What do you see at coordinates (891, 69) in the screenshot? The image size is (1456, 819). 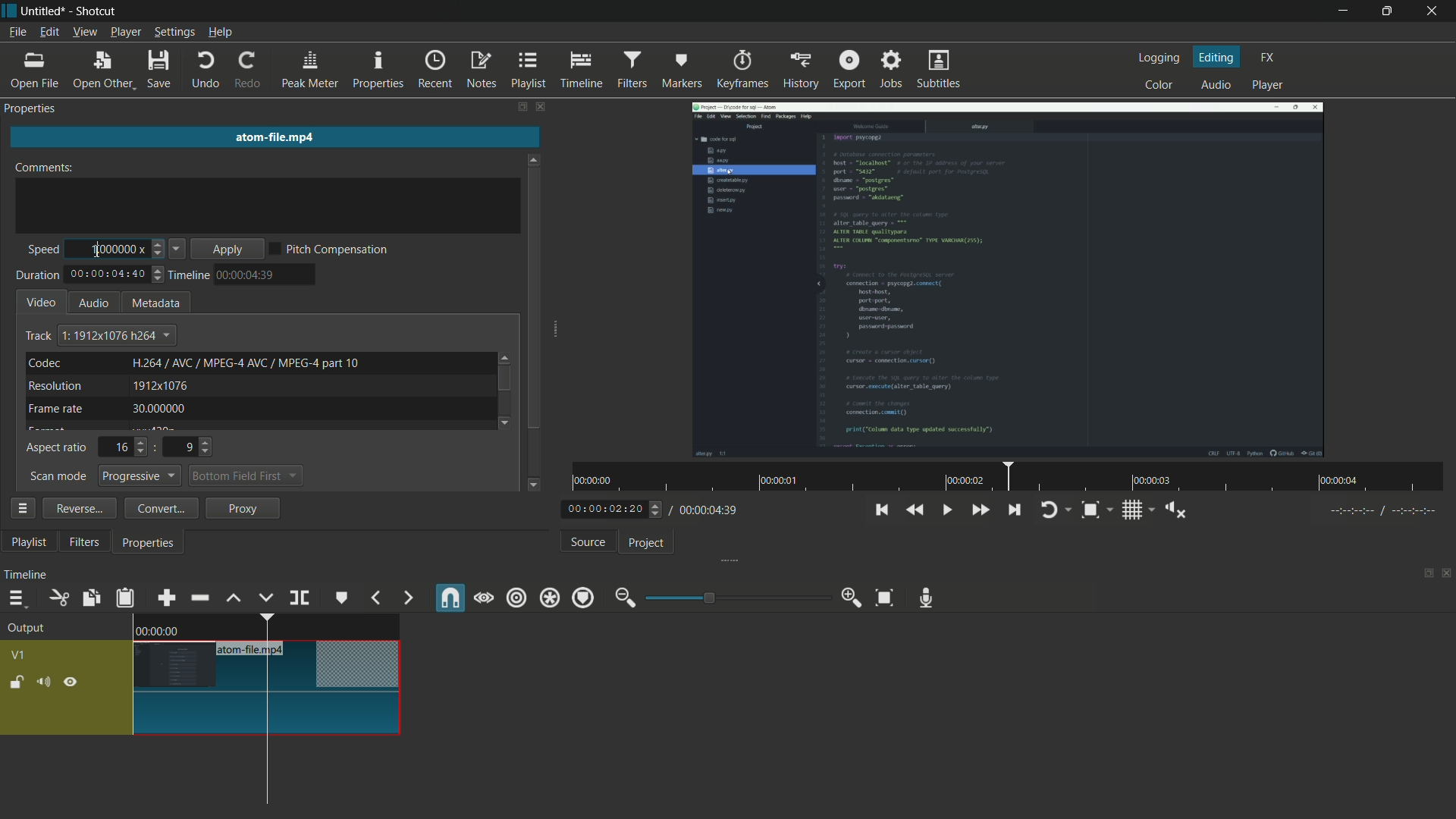 I see `jobs` at bounding box center [891, 69].